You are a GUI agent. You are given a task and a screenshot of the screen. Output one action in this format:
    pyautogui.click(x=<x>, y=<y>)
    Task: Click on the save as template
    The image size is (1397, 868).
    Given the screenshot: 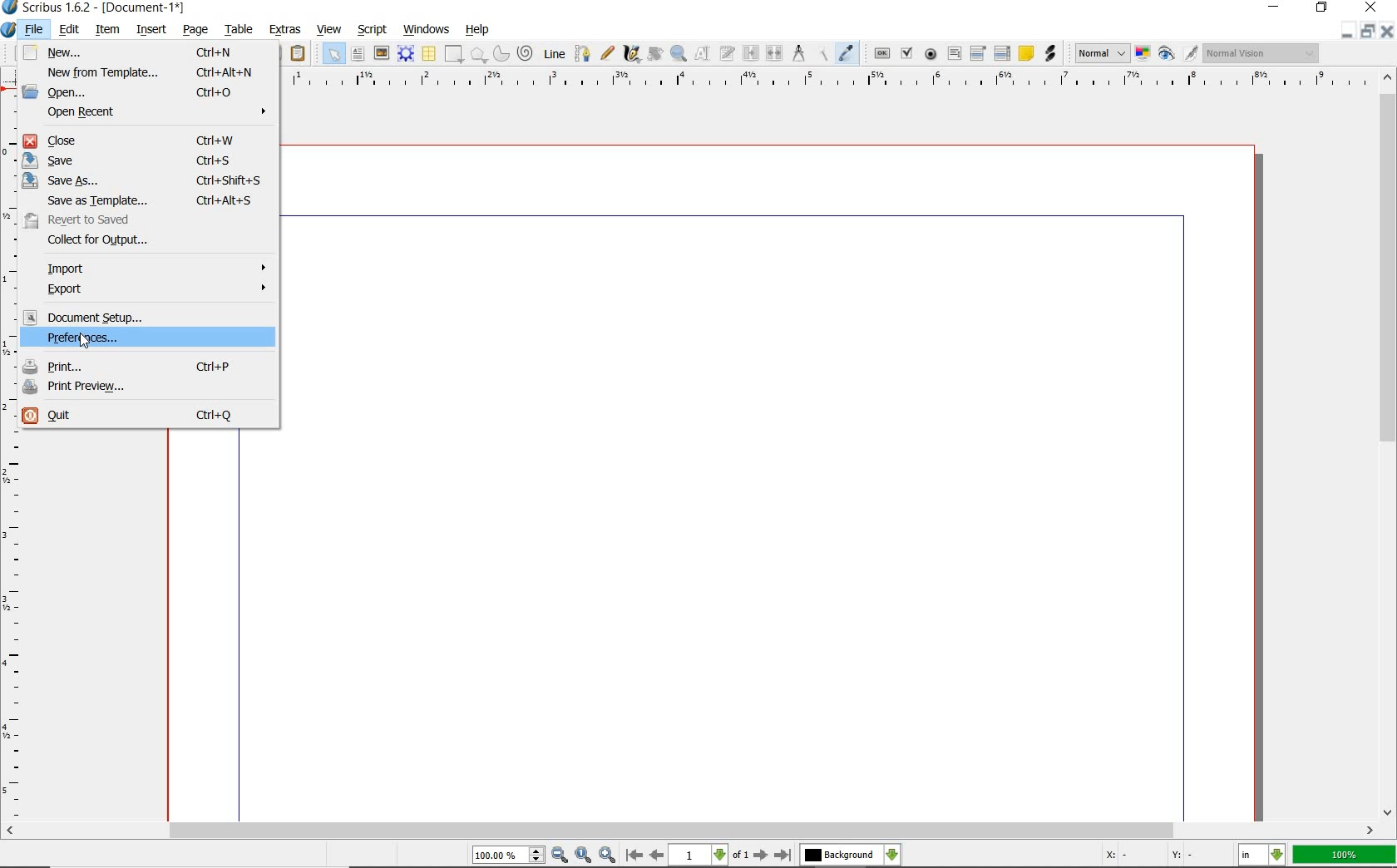 What is the action you would take?
    pyautogui.click(x=150, y=200)
    